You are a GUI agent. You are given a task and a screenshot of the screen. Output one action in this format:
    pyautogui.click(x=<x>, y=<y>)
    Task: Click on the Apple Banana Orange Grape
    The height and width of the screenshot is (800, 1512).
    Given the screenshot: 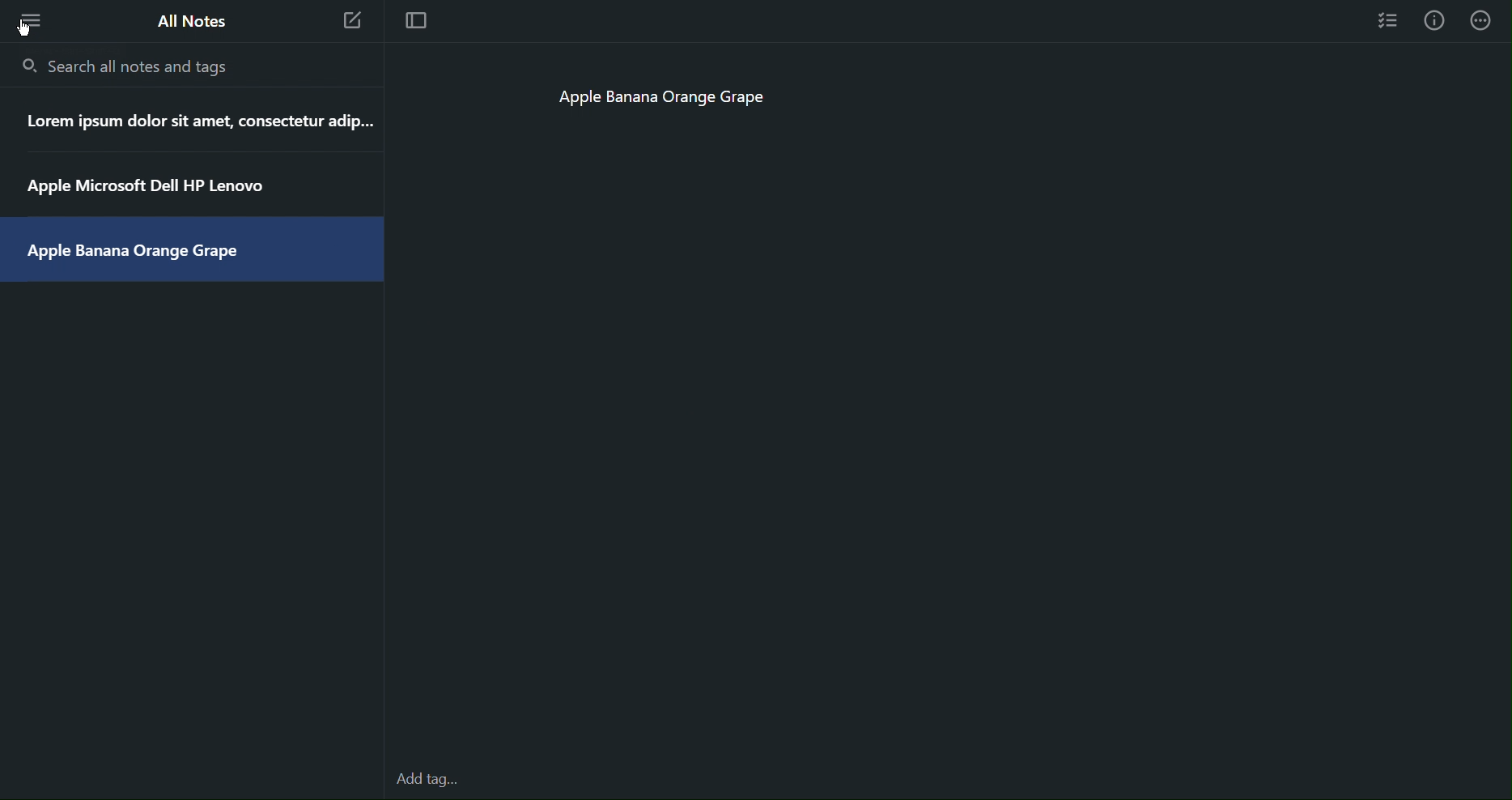 What is the action you would take?
    pyautogui.click(x=146, y=255)
    